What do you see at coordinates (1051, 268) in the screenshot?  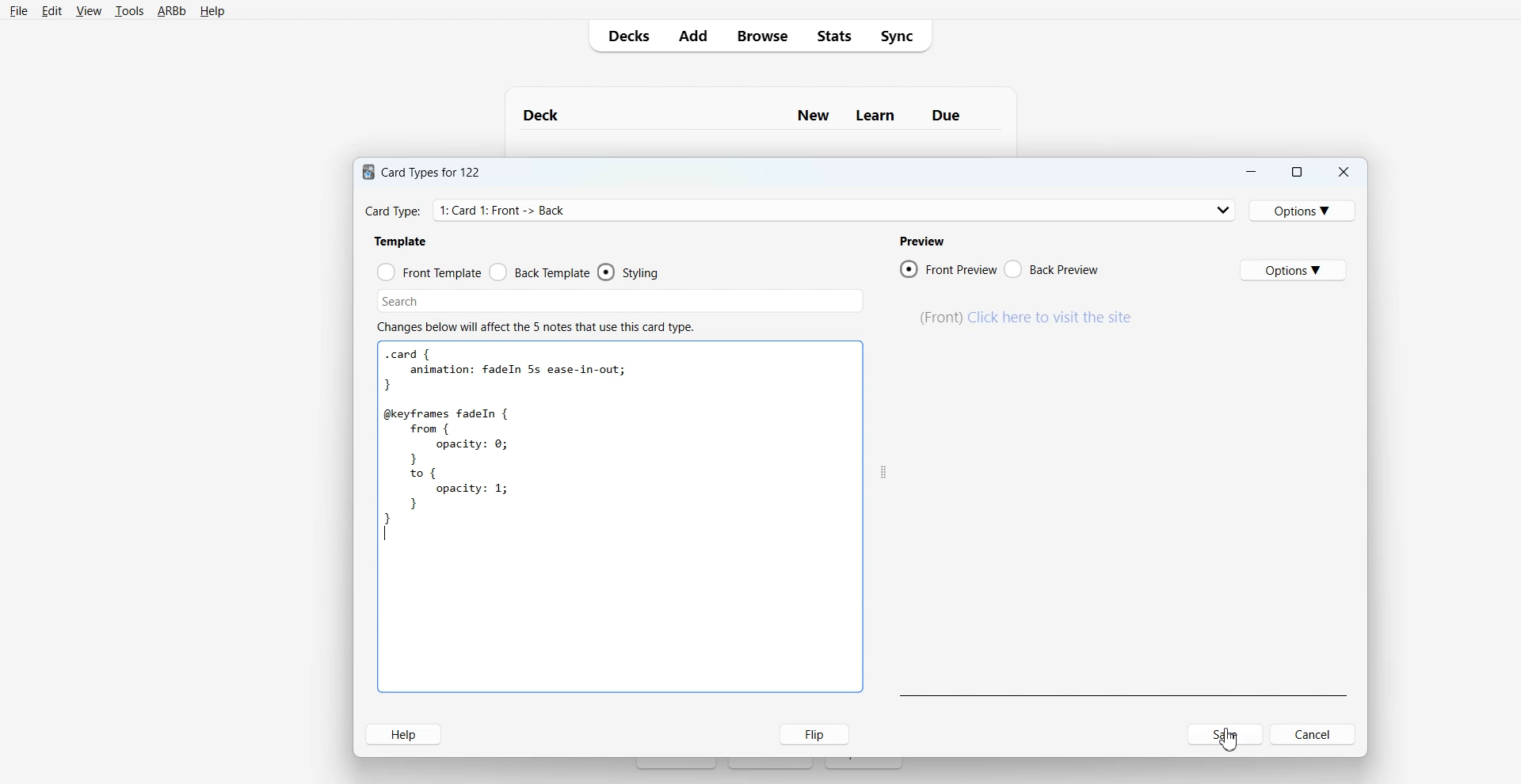 I see `Back Preview` at bounding box center [1051, 268].